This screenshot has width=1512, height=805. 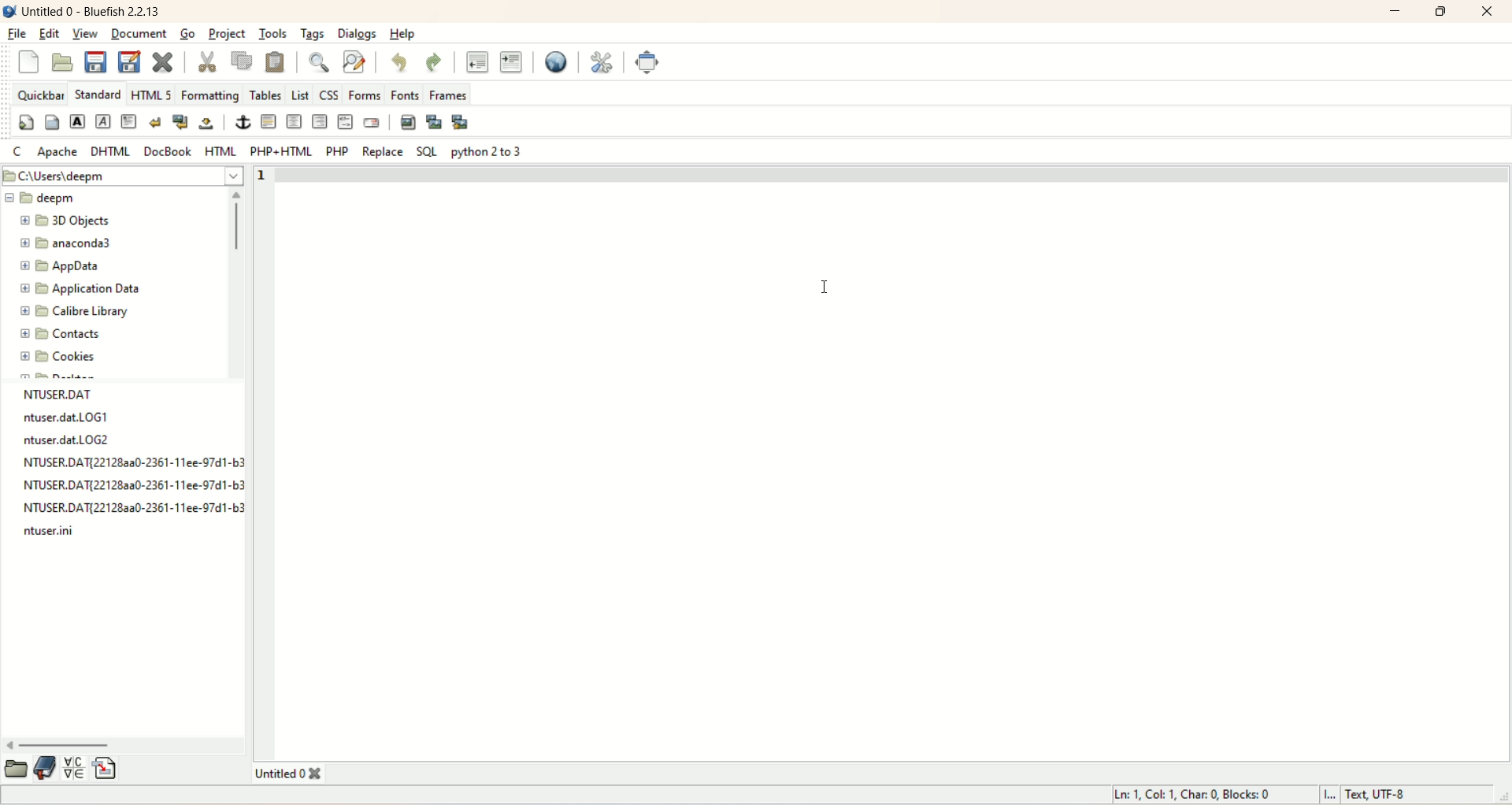 I want to click on emphasize, so click(x=105, y=123).